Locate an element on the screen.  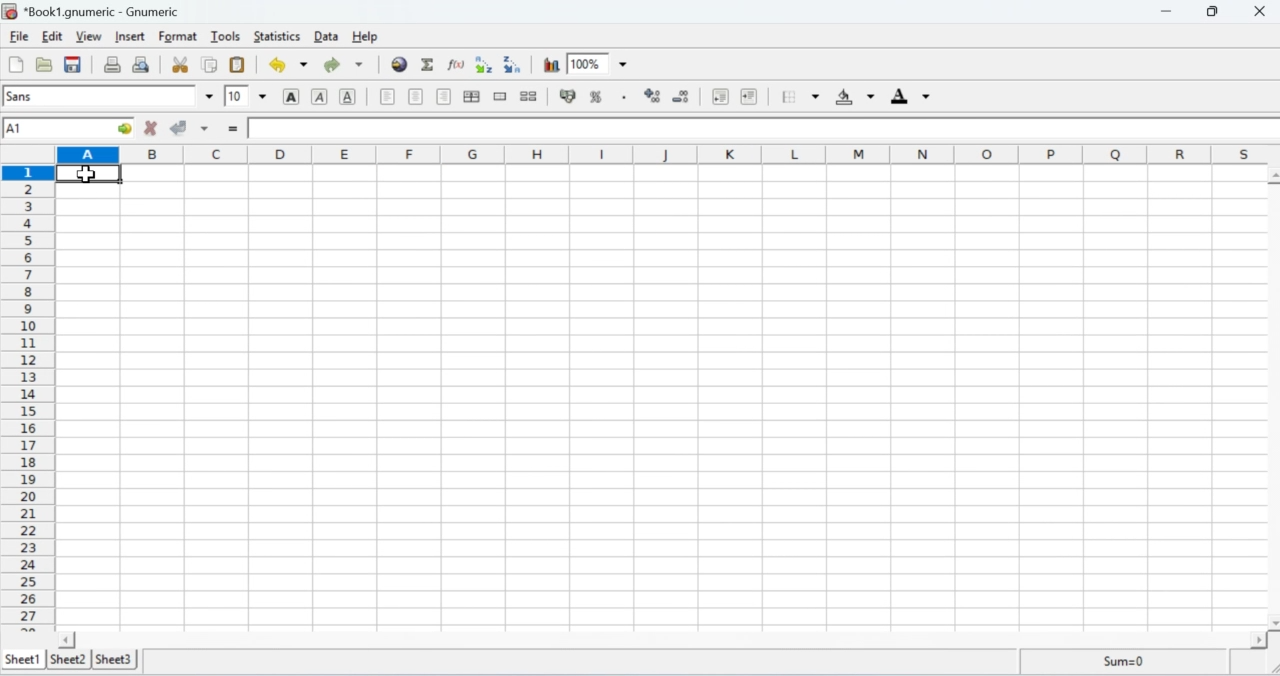
Sort by descending is located at coordinates (515, 65).